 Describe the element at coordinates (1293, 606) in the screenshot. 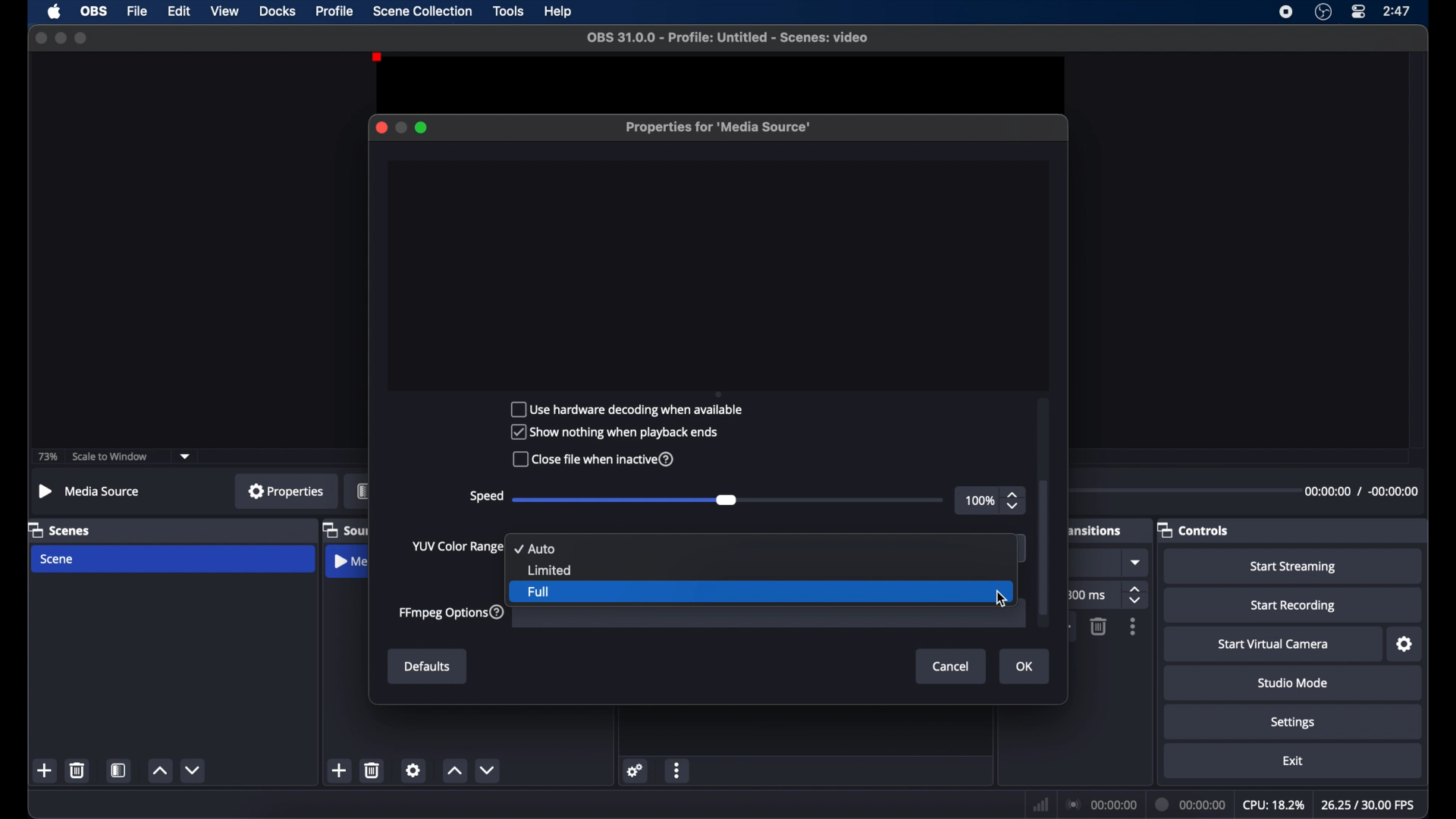

I see `start recording` at that location.